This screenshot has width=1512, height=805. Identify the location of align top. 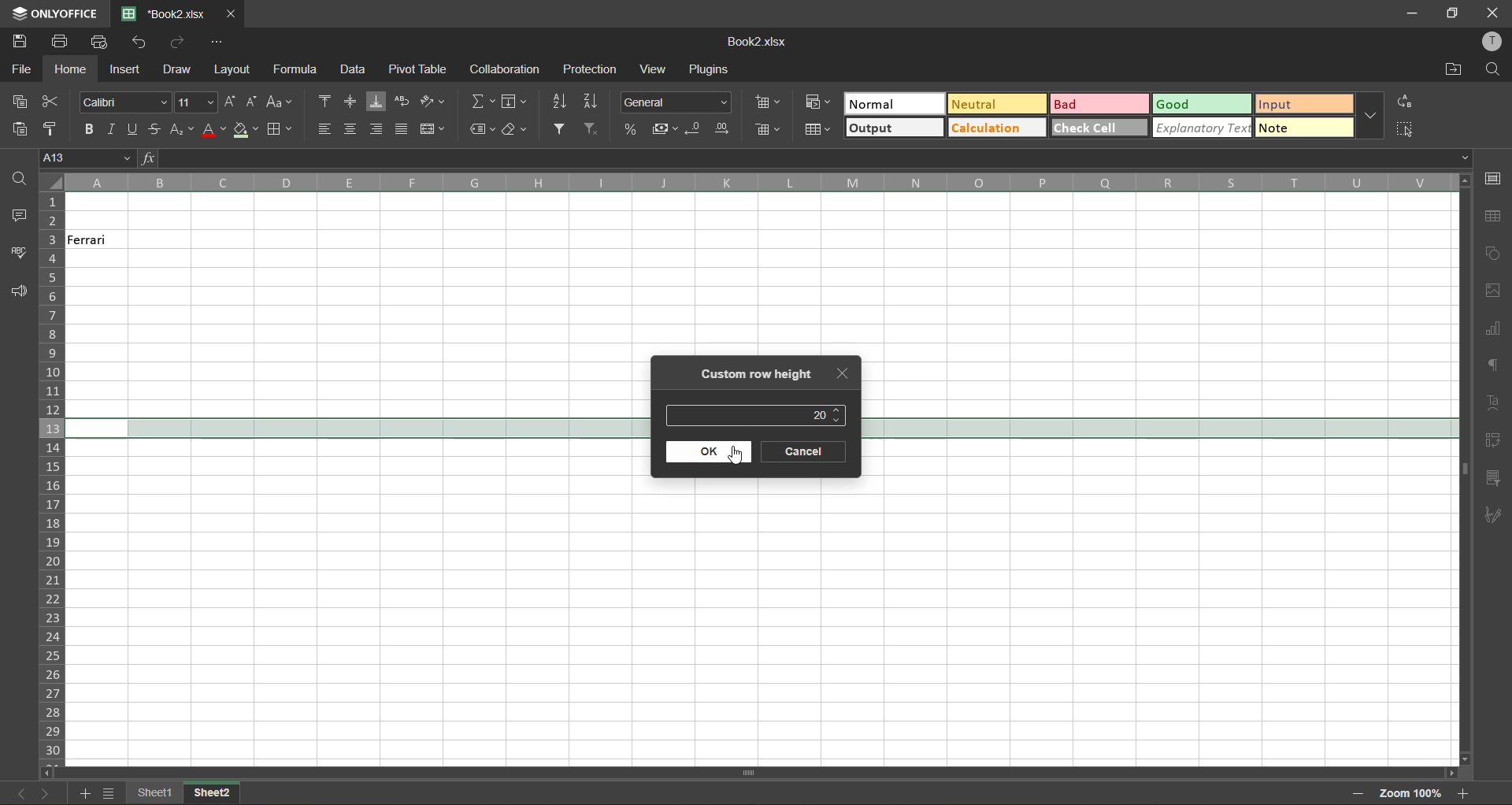
(328, 100).